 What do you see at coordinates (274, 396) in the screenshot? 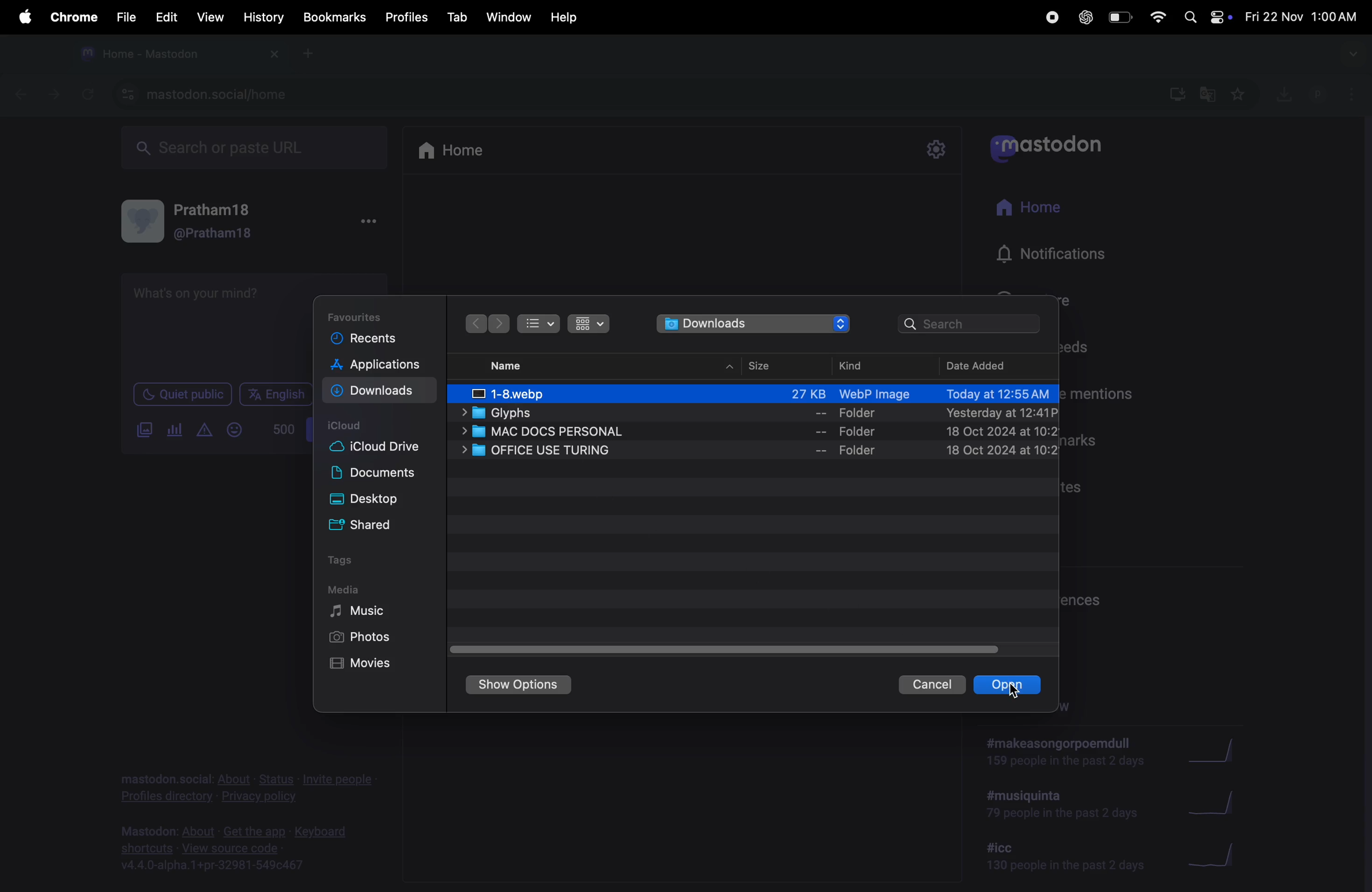
I see `english` at bounding box center [274, 396].